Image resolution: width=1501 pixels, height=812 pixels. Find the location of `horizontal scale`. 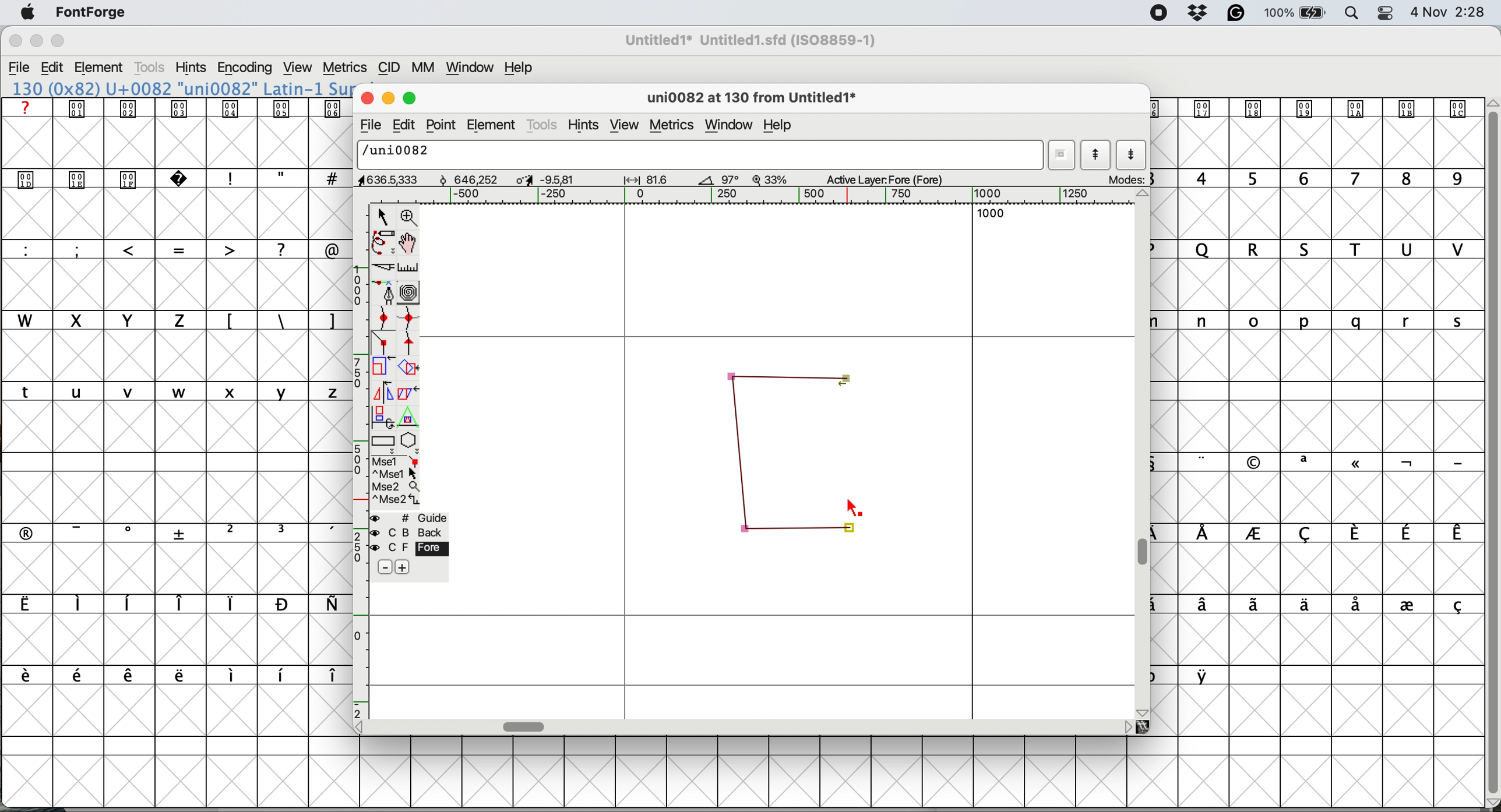

horizontal scale is located at coordinates (769, 196).